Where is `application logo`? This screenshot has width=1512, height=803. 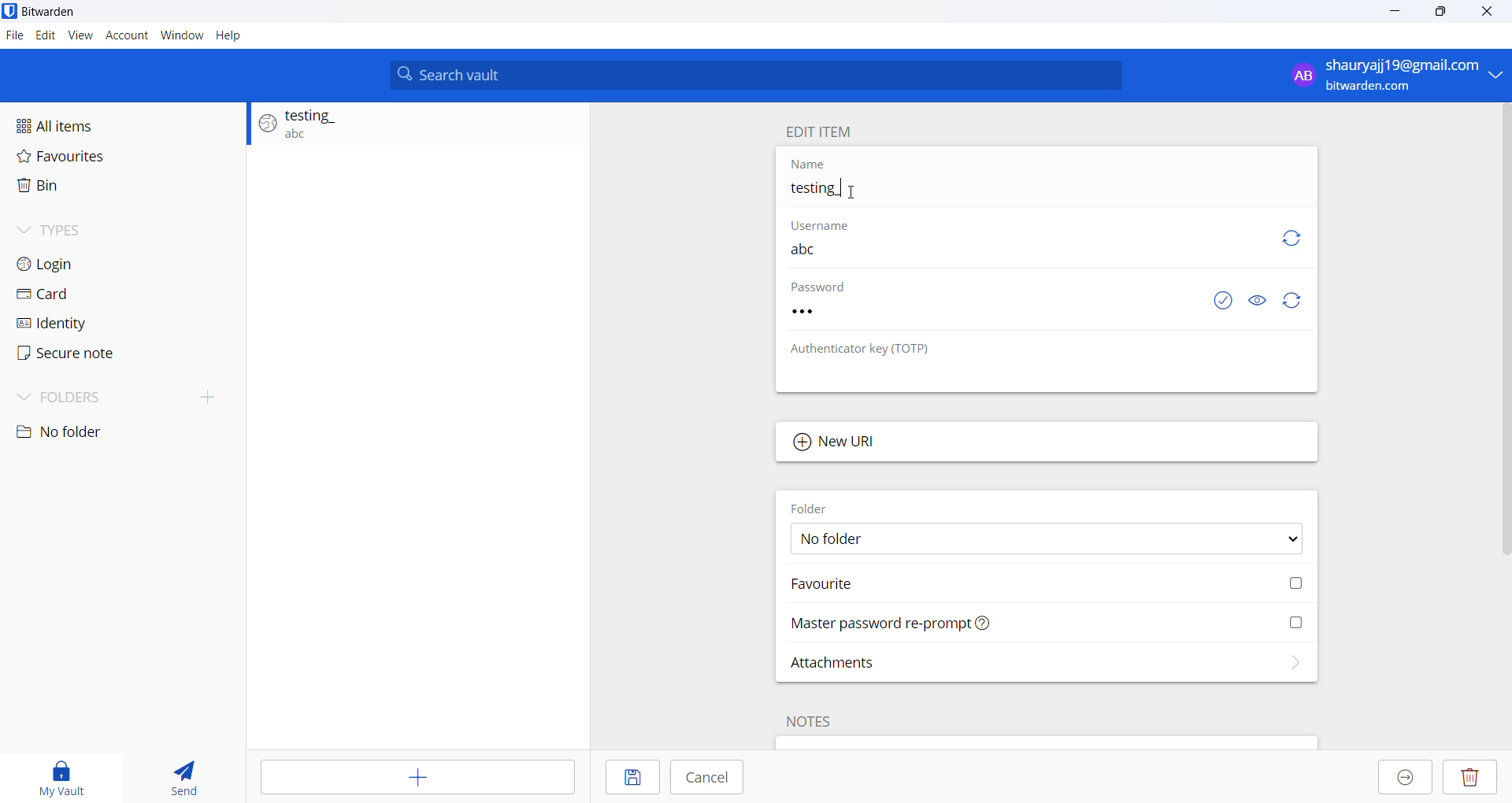 application logo is located at coordinates (9, 11).